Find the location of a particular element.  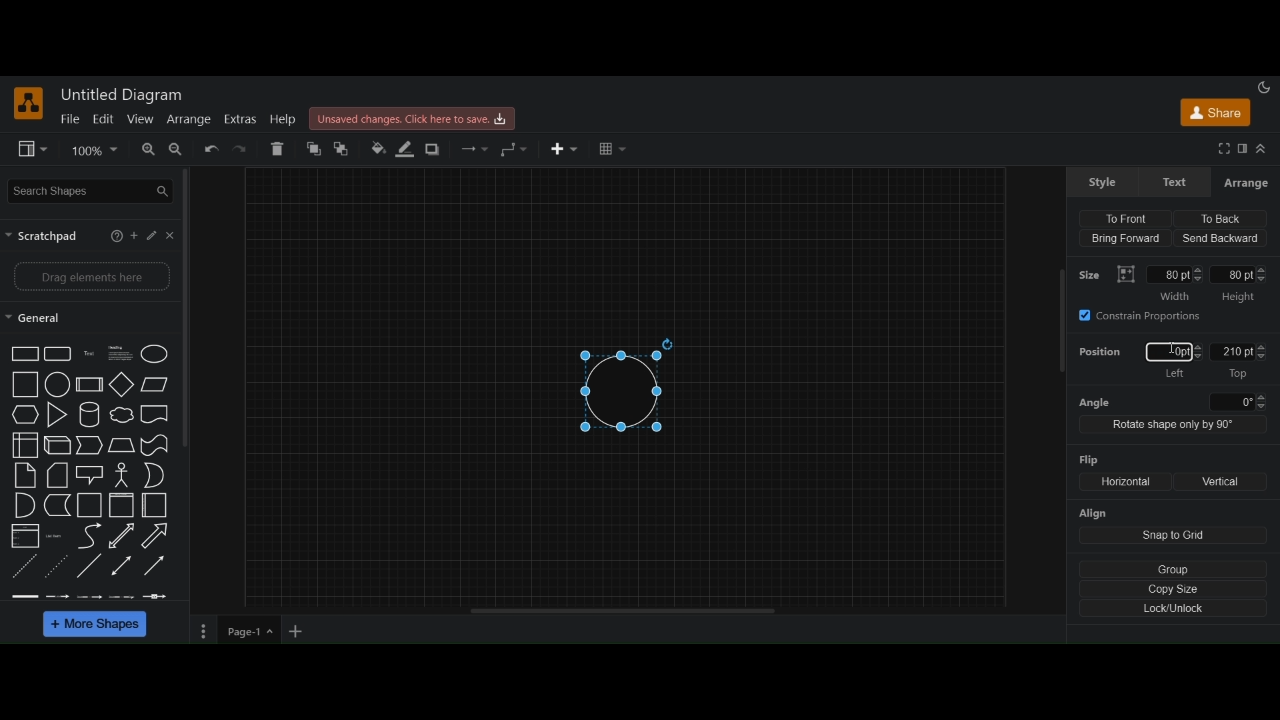

snap to grid is located at coordinates (1174, 536).